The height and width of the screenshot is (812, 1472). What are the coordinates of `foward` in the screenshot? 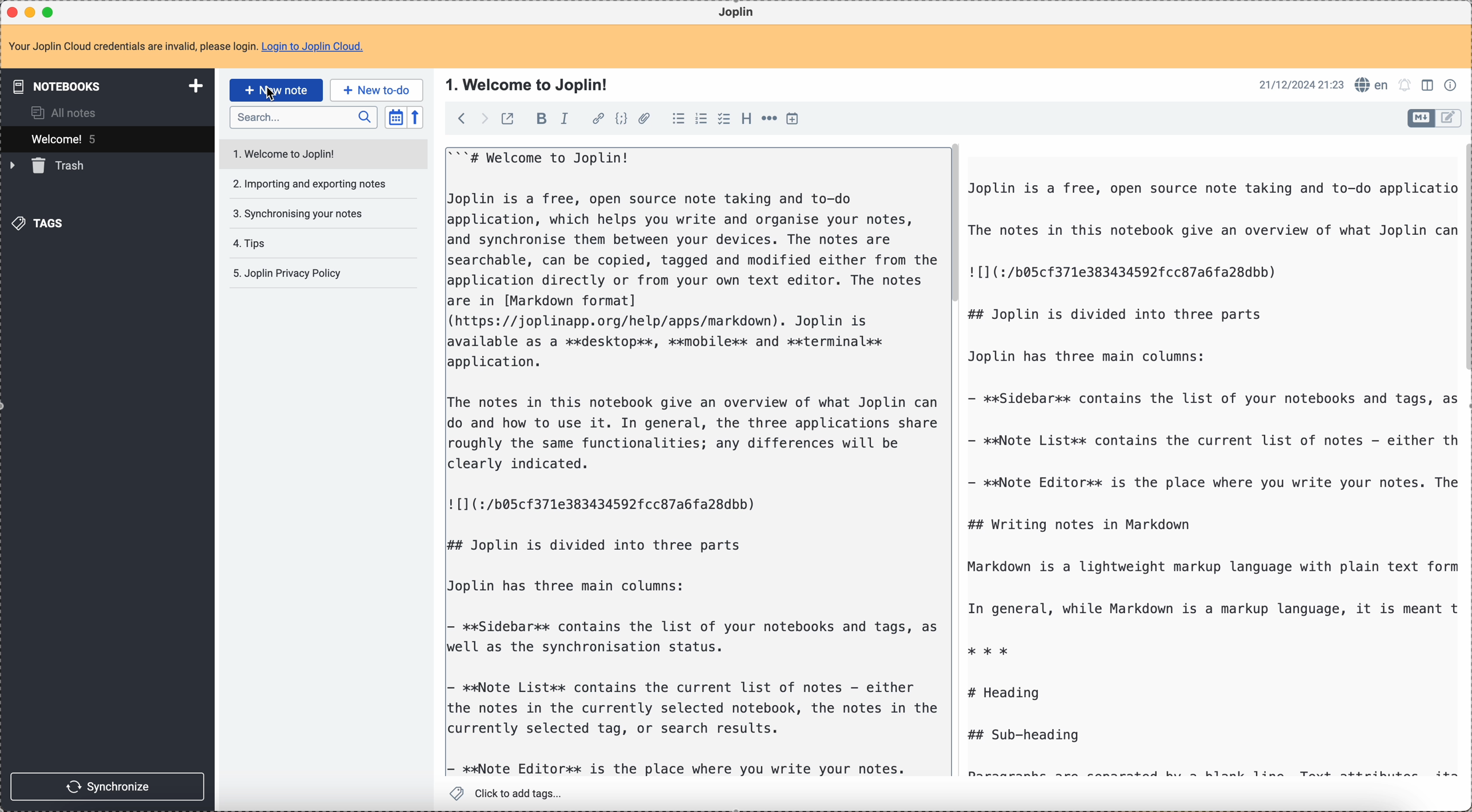 It's located at (483, 118).